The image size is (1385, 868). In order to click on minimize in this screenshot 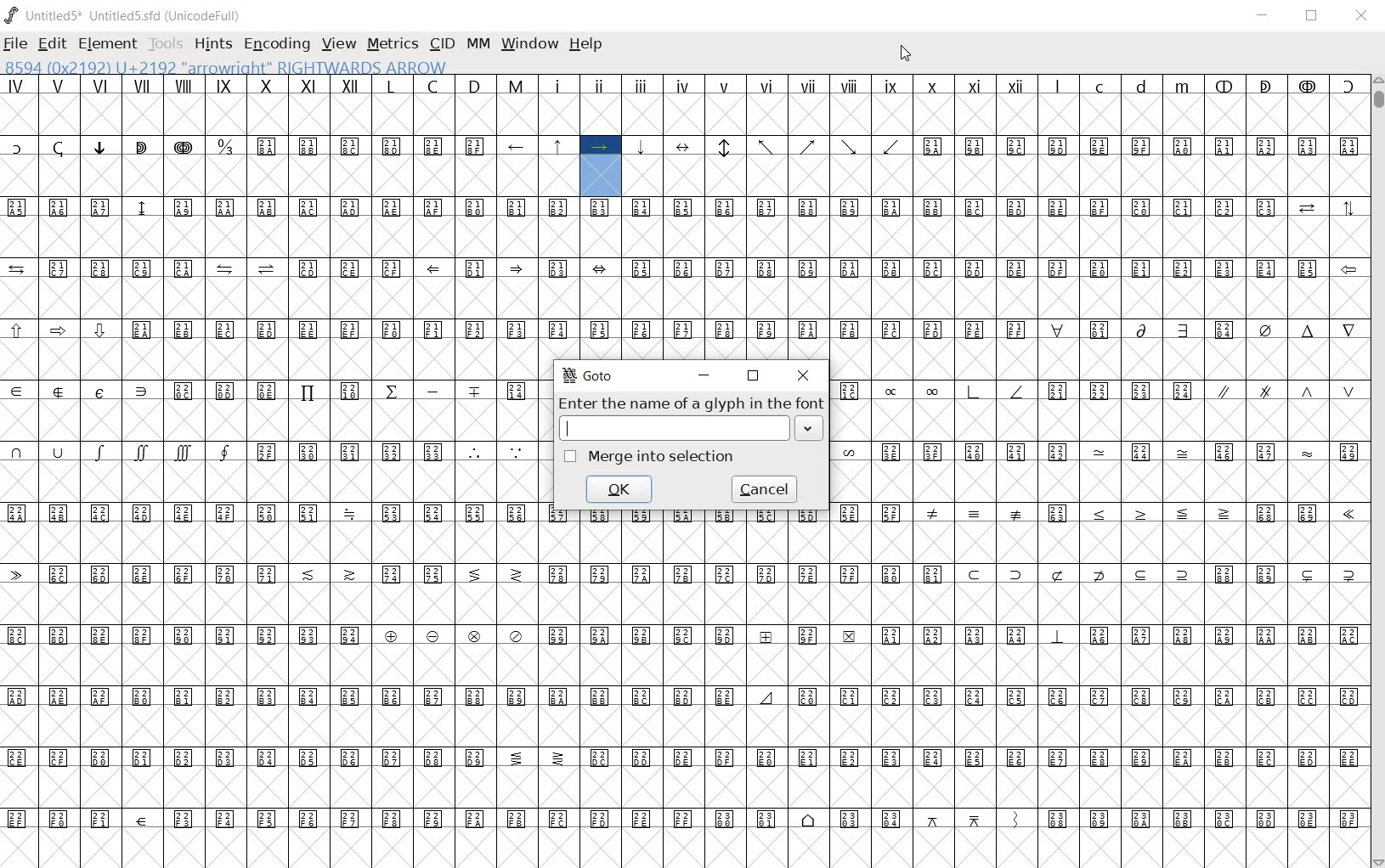, I will do `click(706, 375)`.